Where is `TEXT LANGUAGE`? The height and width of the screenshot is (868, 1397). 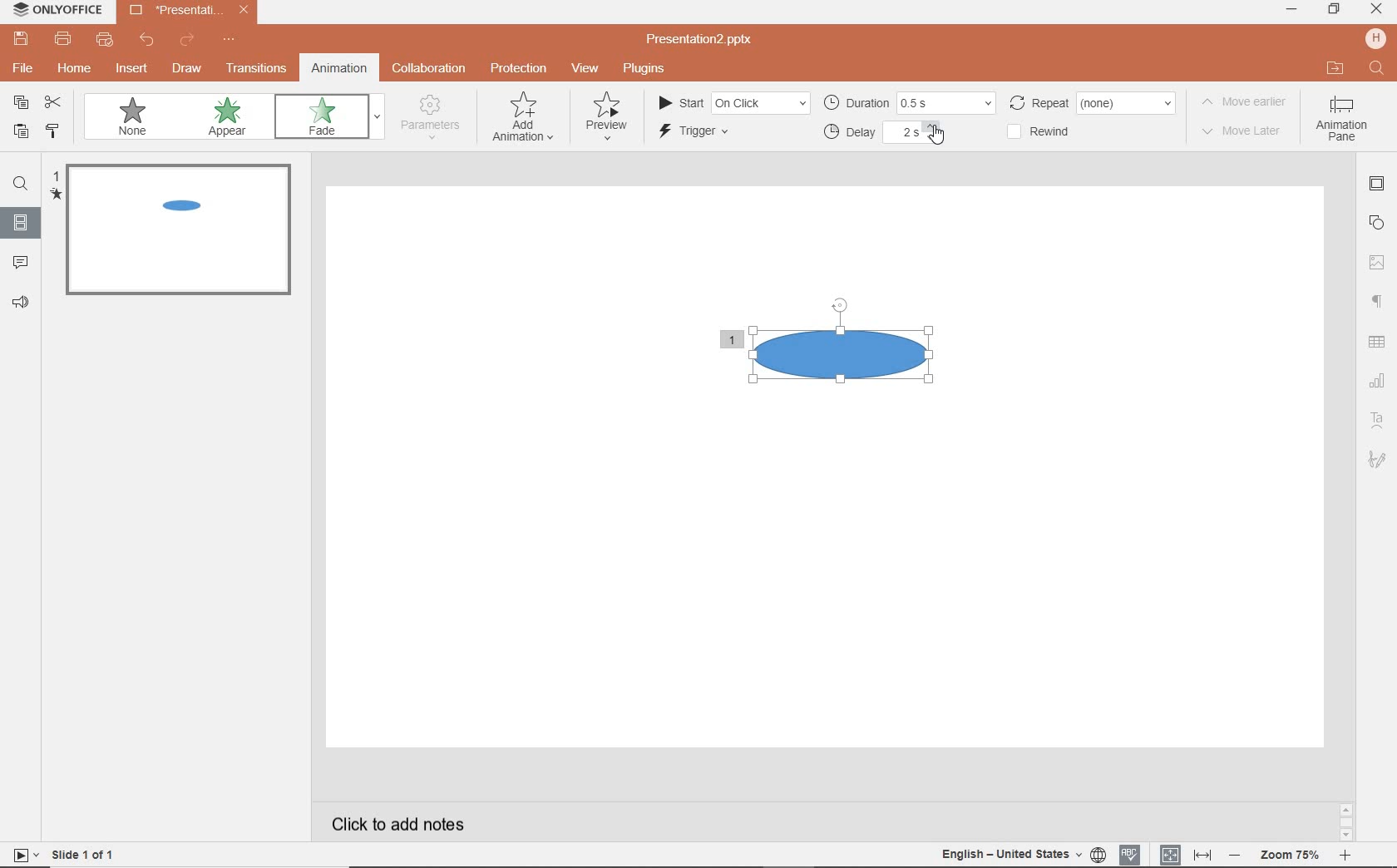 TEXT LANGUAGE is located at coordinates (1023, 855).